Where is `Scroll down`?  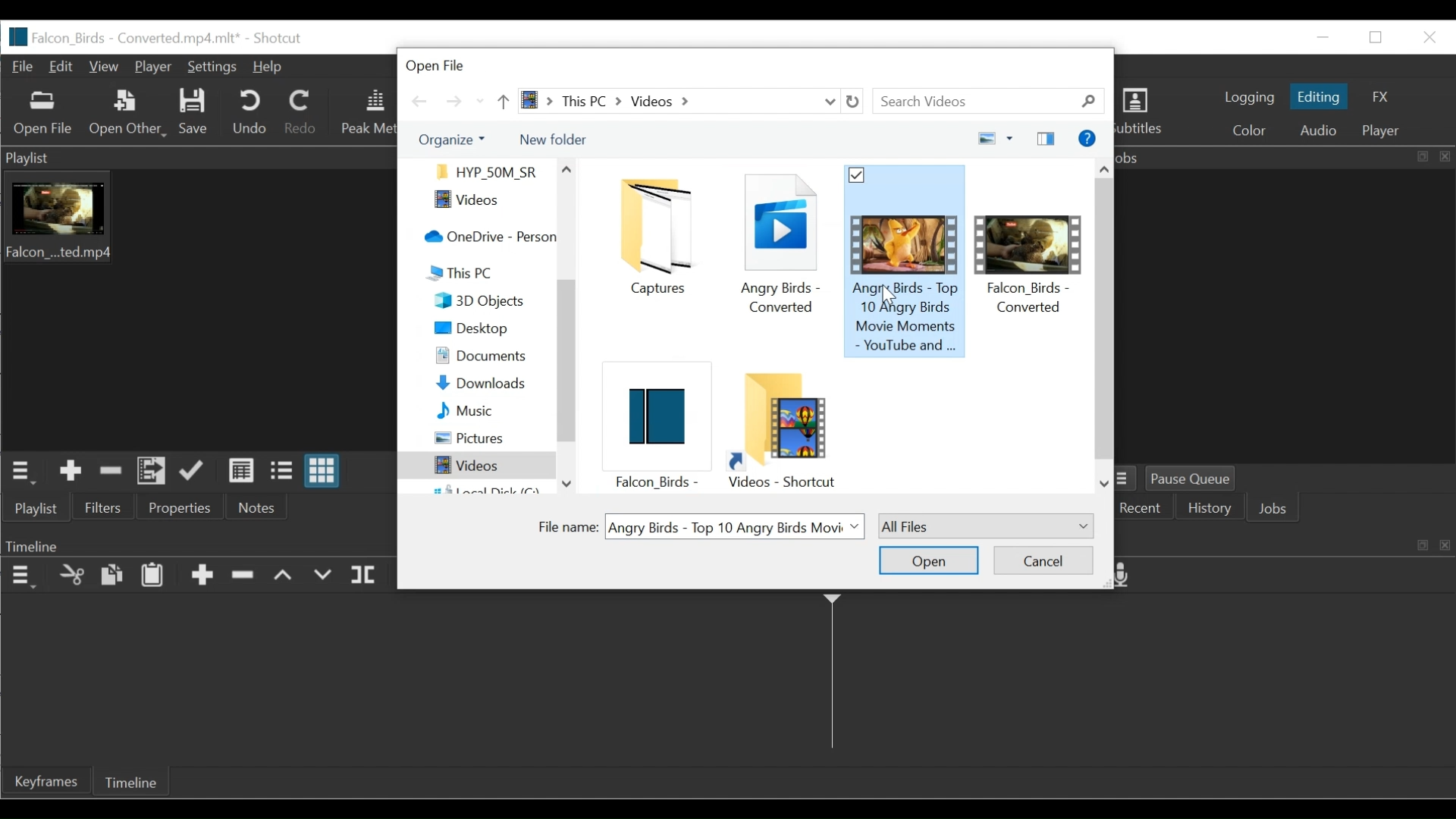 Scroll down is located at coordinates (565, 483).